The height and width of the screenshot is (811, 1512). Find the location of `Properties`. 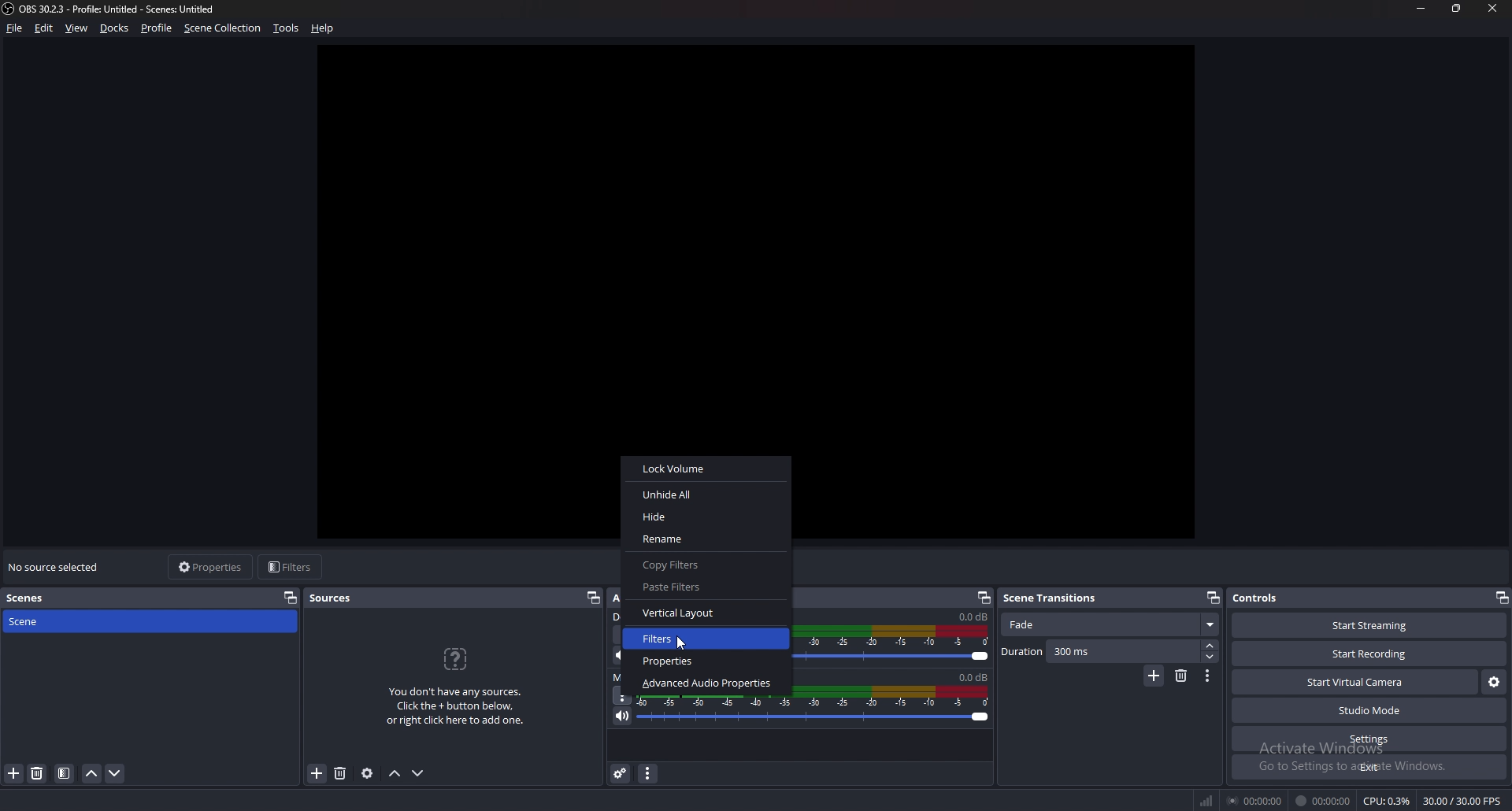

Properties is located at coordinates (680, 663).